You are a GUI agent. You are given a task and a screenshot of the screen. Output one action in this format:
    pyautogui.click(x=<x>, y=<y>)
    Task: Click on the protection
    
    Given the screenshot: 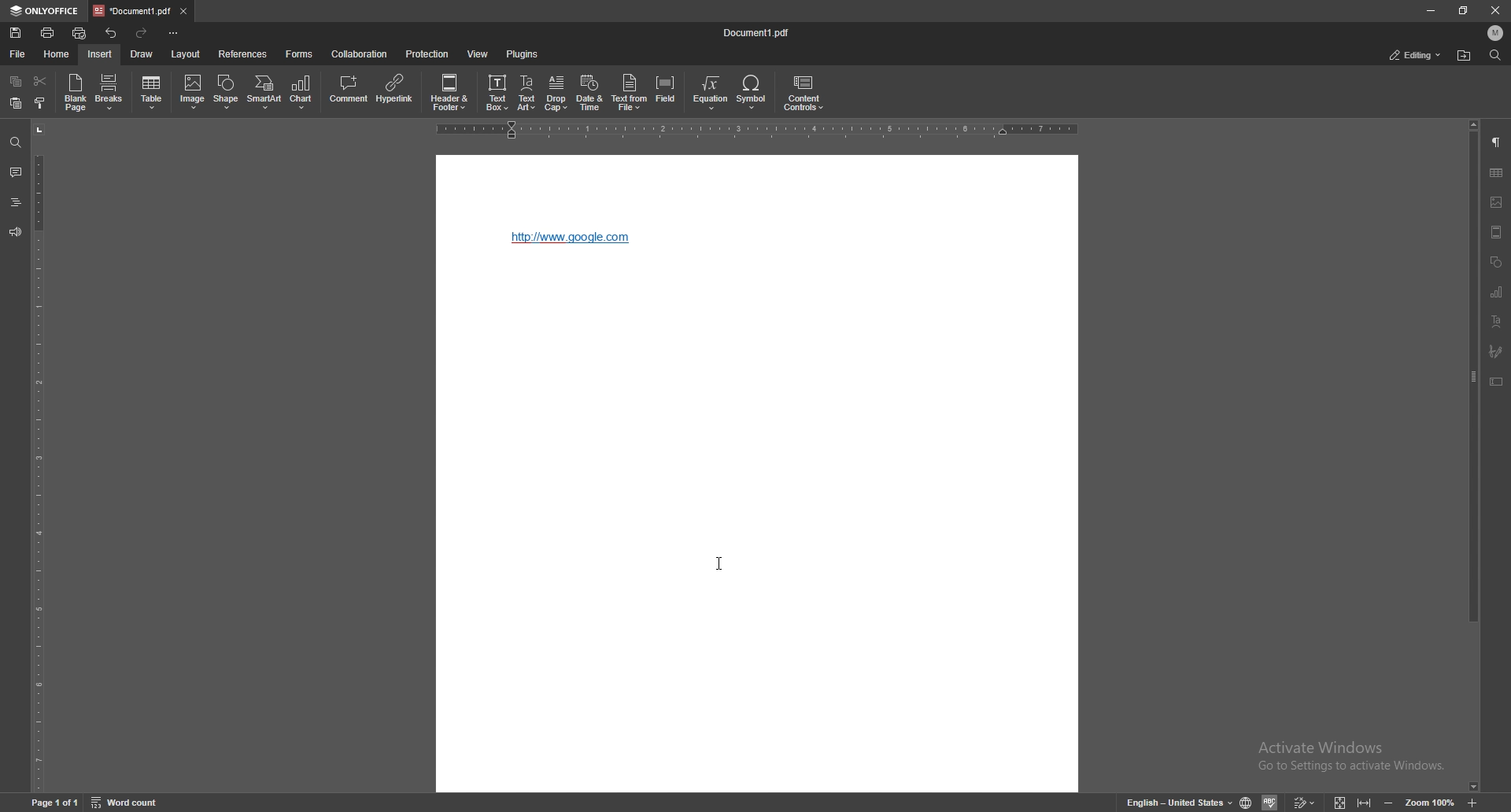 What is the action you would take?
    pyautogui.click(x=428, y=54)
    